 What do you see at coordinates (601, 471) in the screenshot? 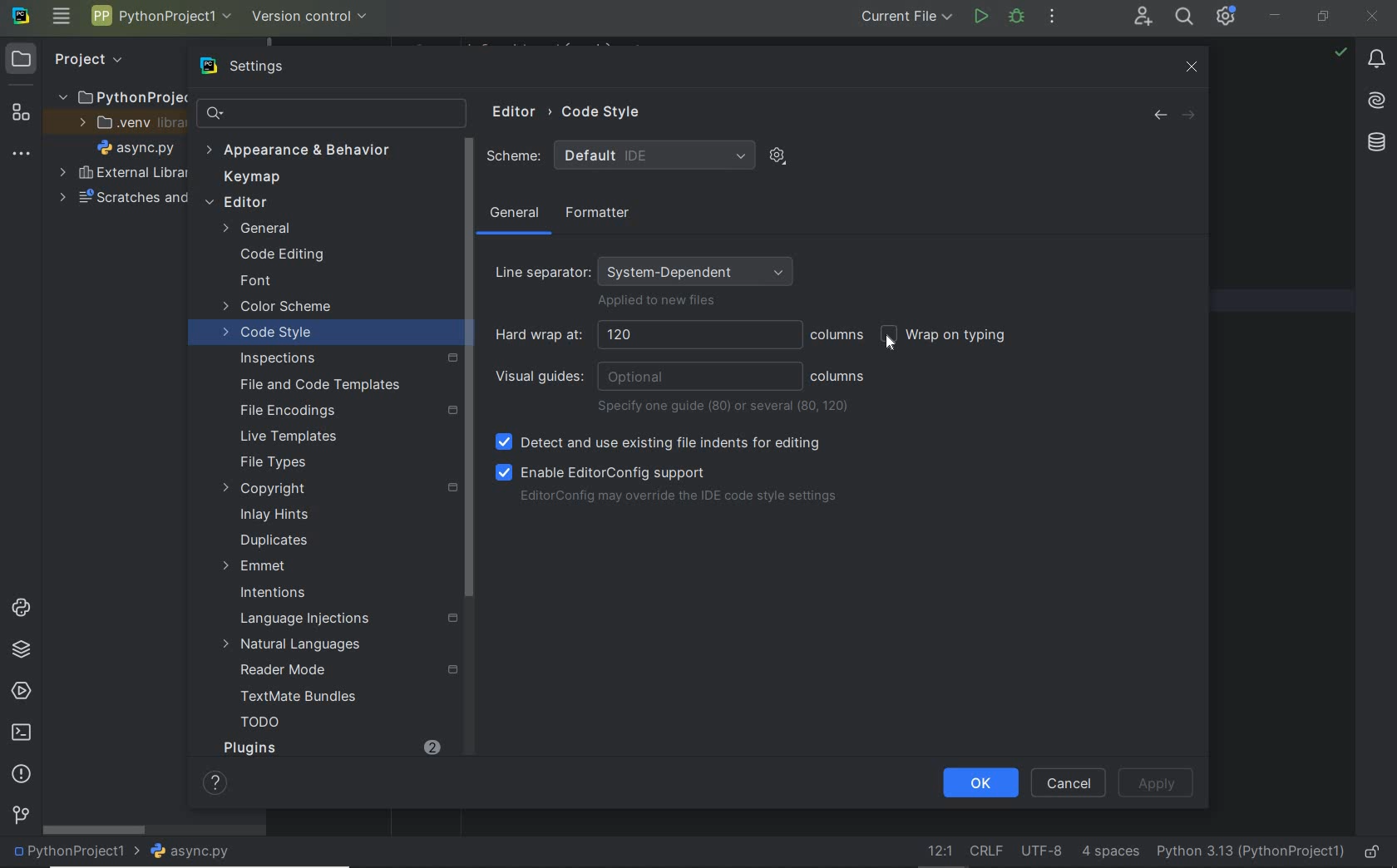
I see `Enable EditorConfig support` at bounding box center [601, 471].